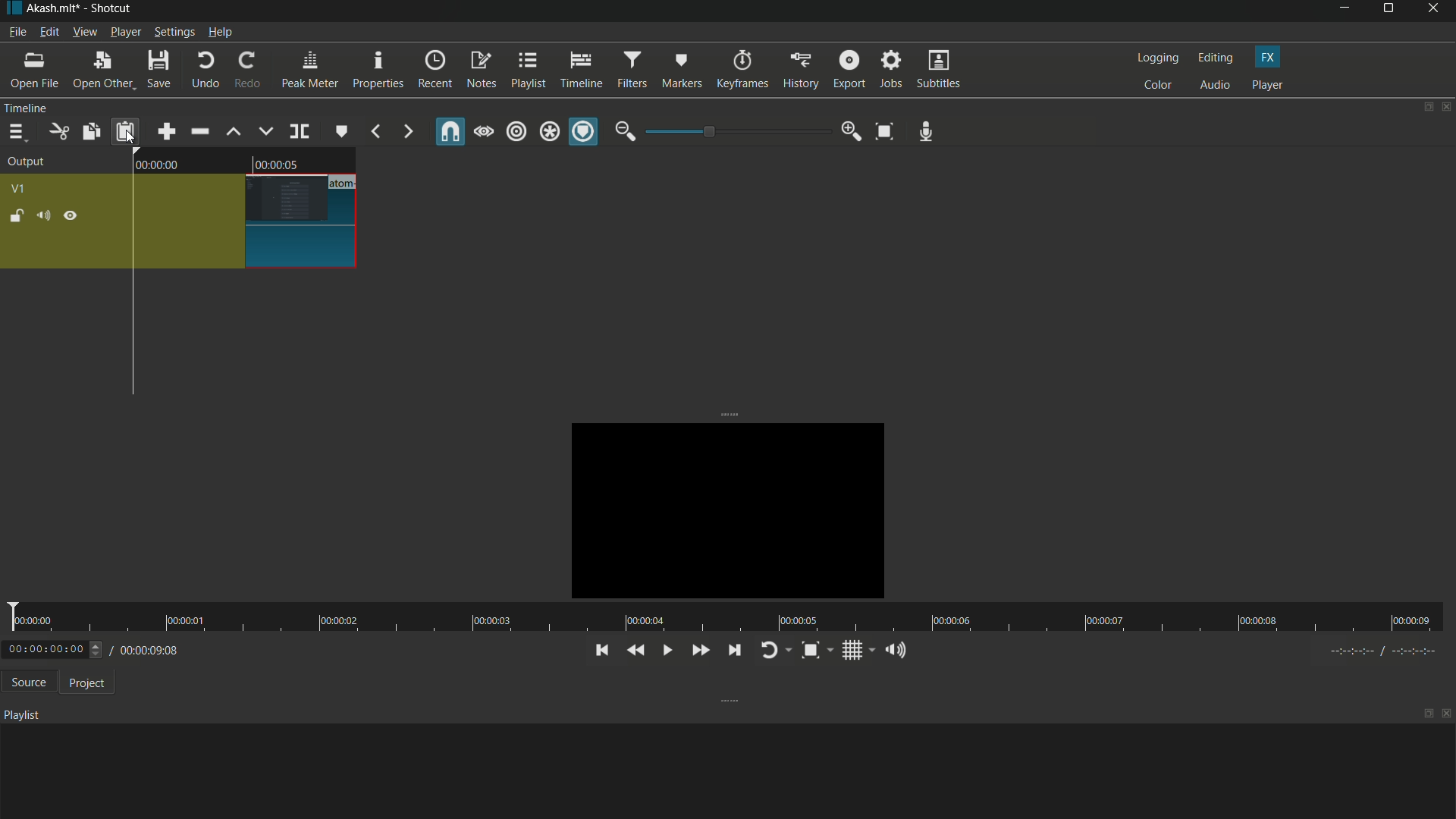 This screenshot has height=819, width=1456. What do you see at coordinates (852, 131) in the screenshot?
I see `zoom in` at bounding box center [852, 131].